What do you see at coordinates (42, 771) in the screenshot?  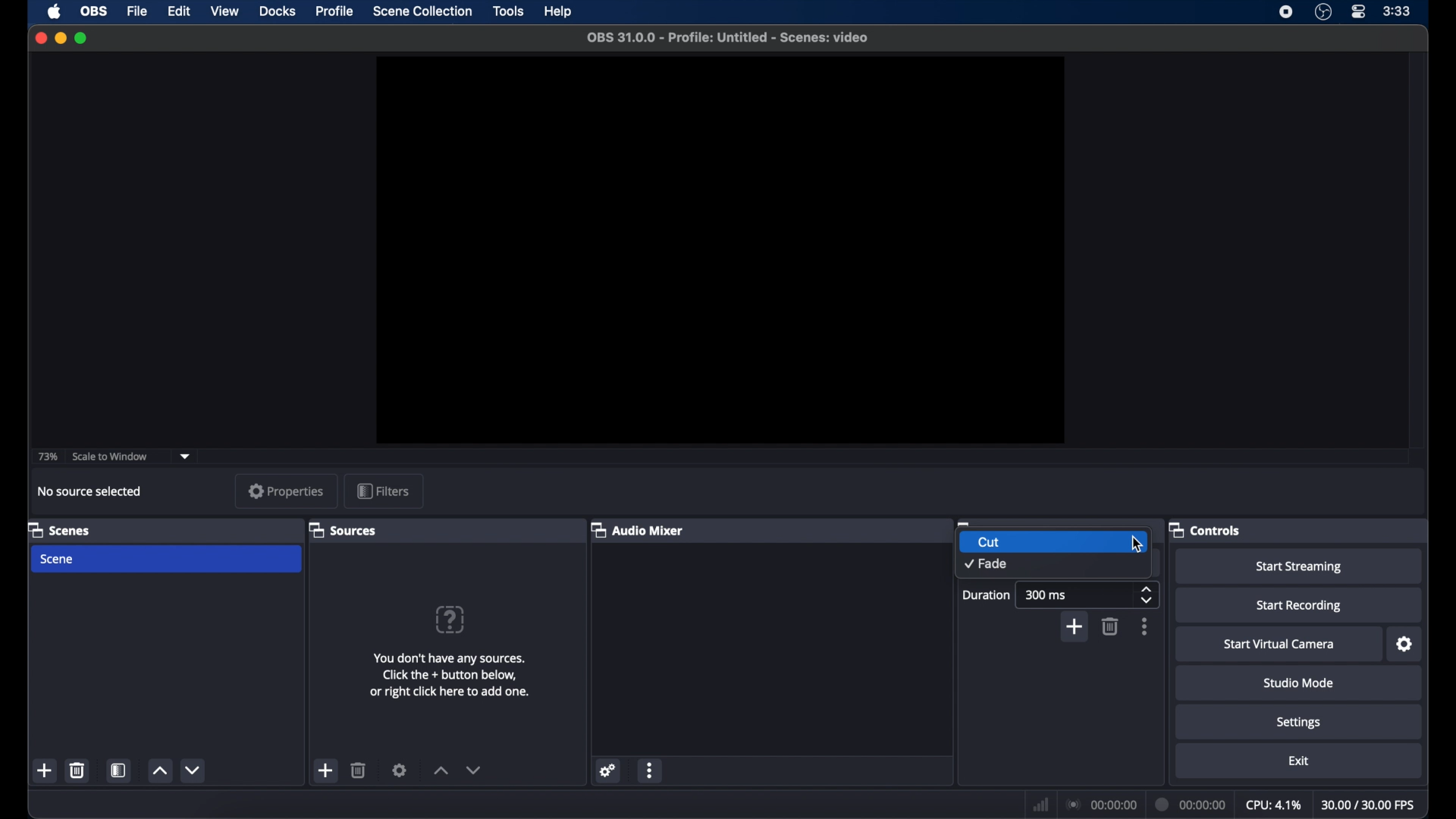 I see `add` at bounding box center [42, 771].